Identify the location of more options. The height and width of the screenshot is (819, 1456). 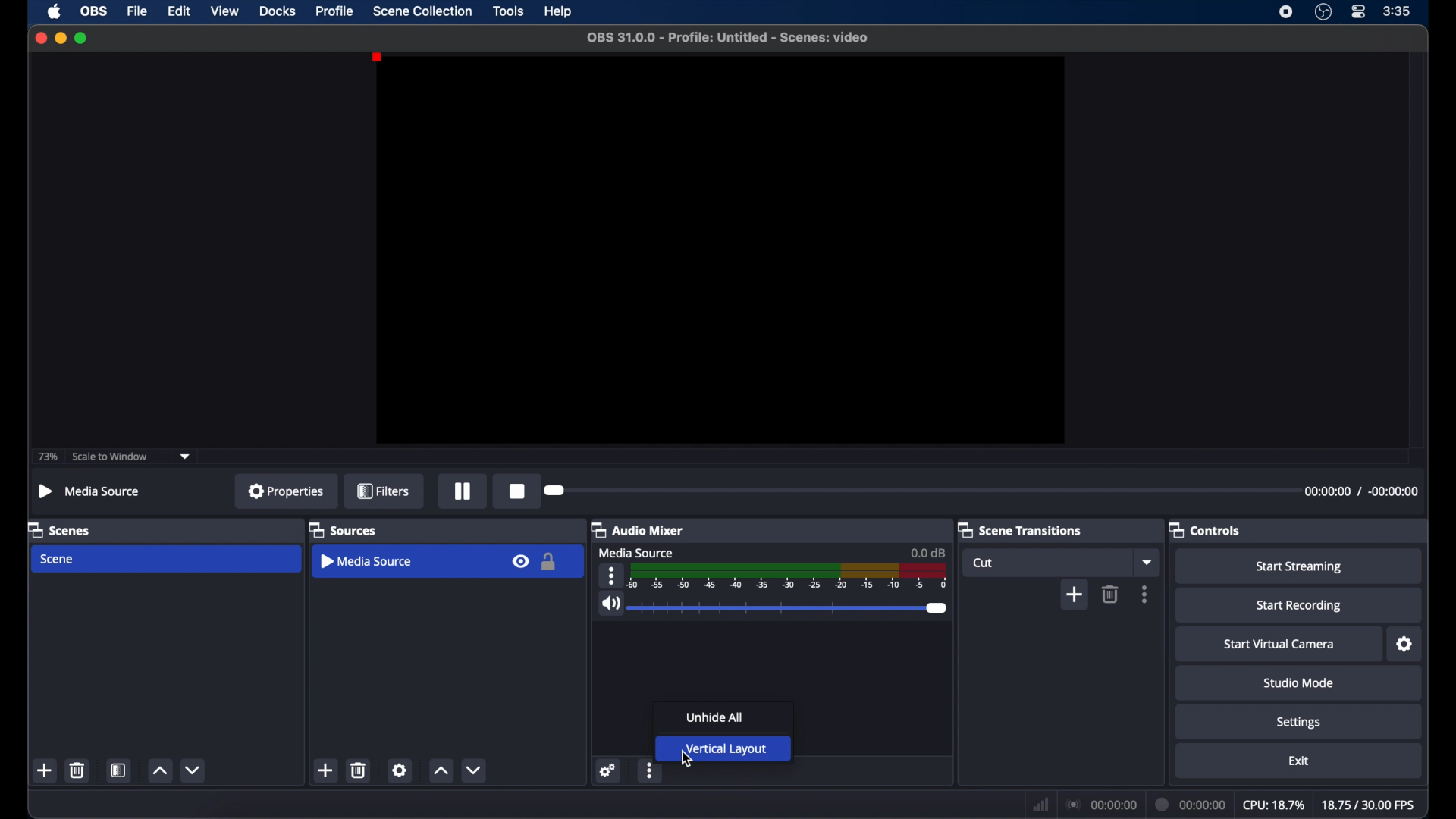
(651, 770).